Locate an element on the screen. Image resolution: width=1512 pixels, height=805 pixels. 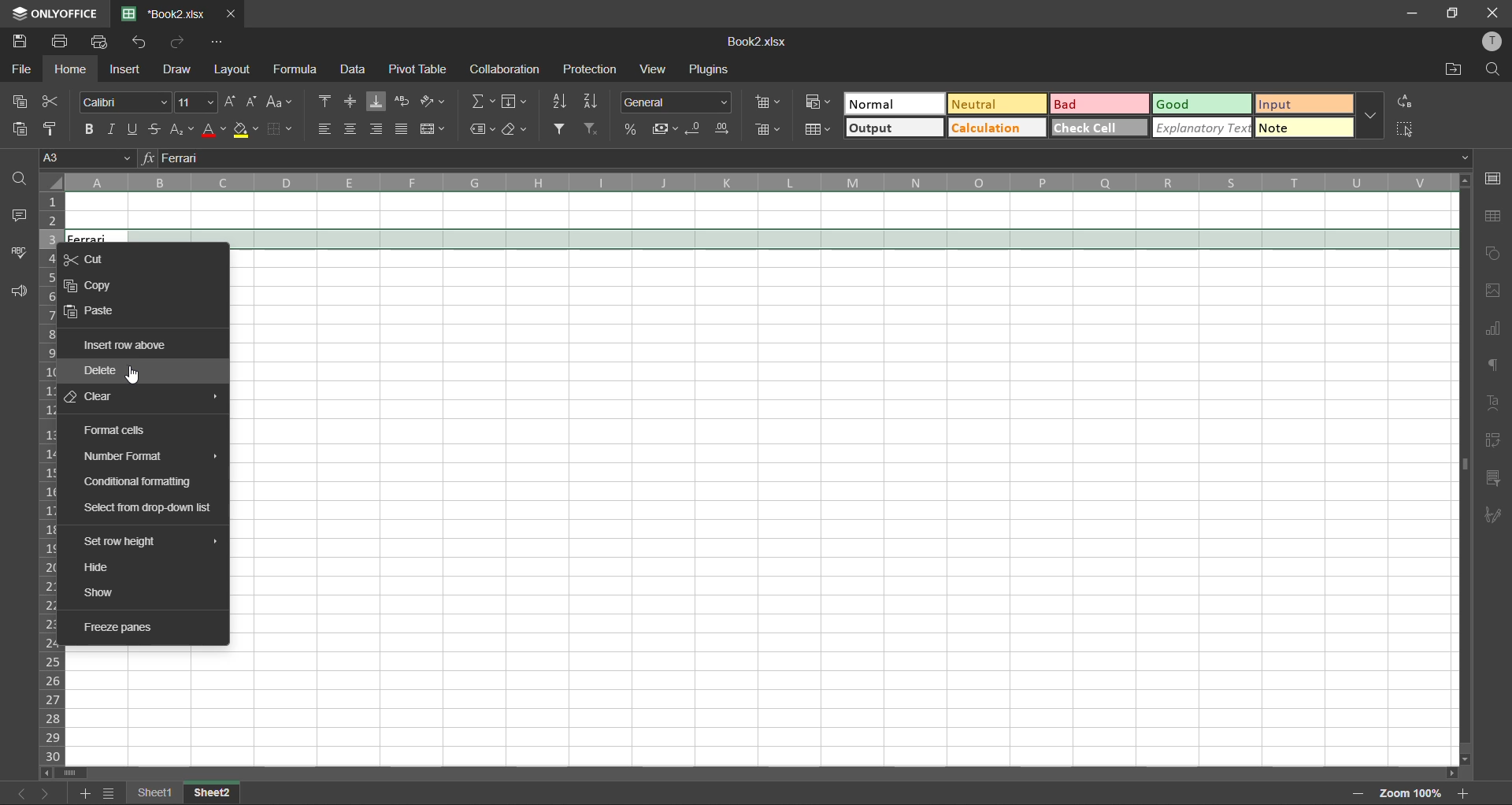
italic is located at coordinates (113, 131).